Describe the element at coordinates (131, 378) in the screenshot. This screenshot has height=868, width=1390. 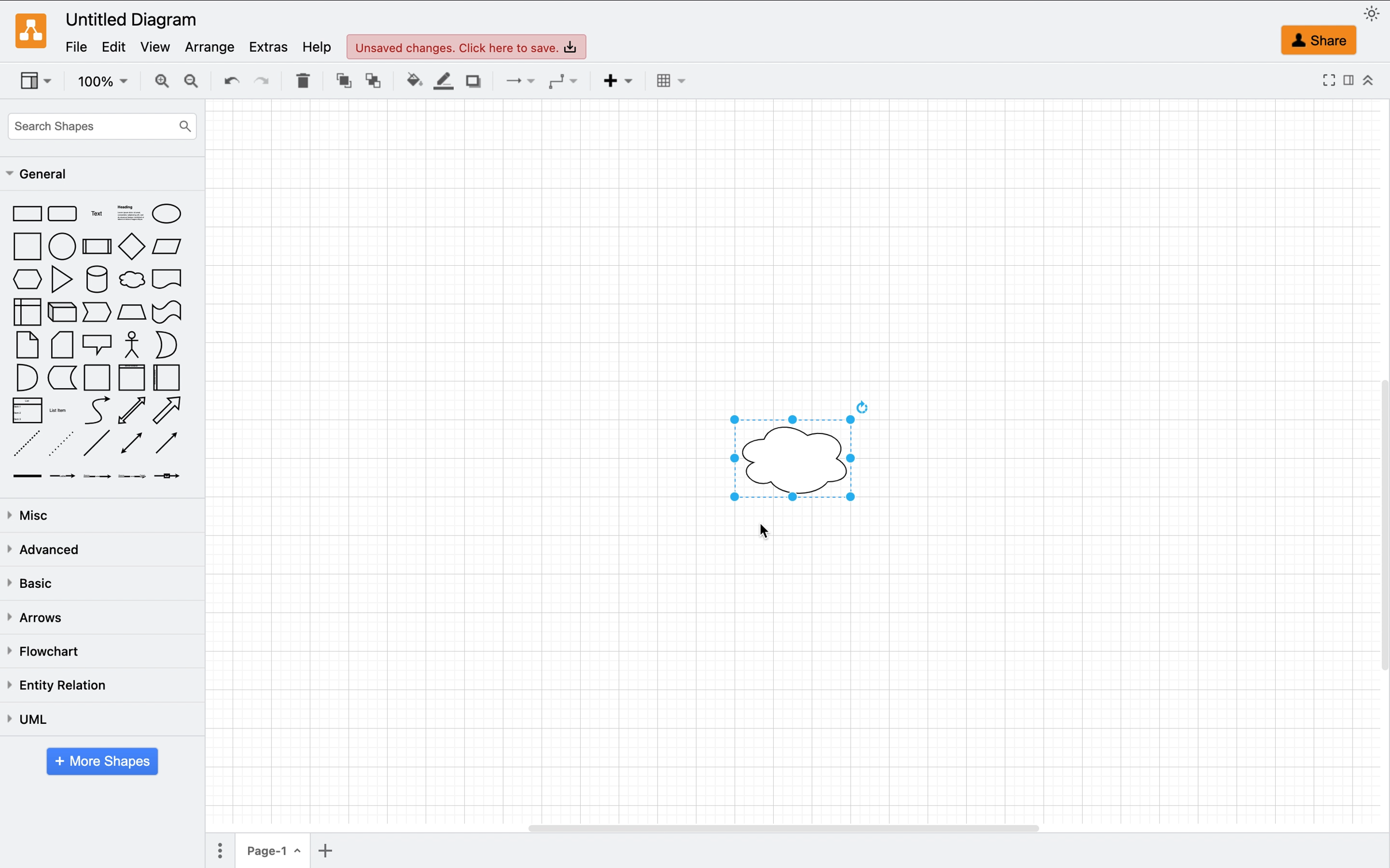
I see `vertical container` at that location.